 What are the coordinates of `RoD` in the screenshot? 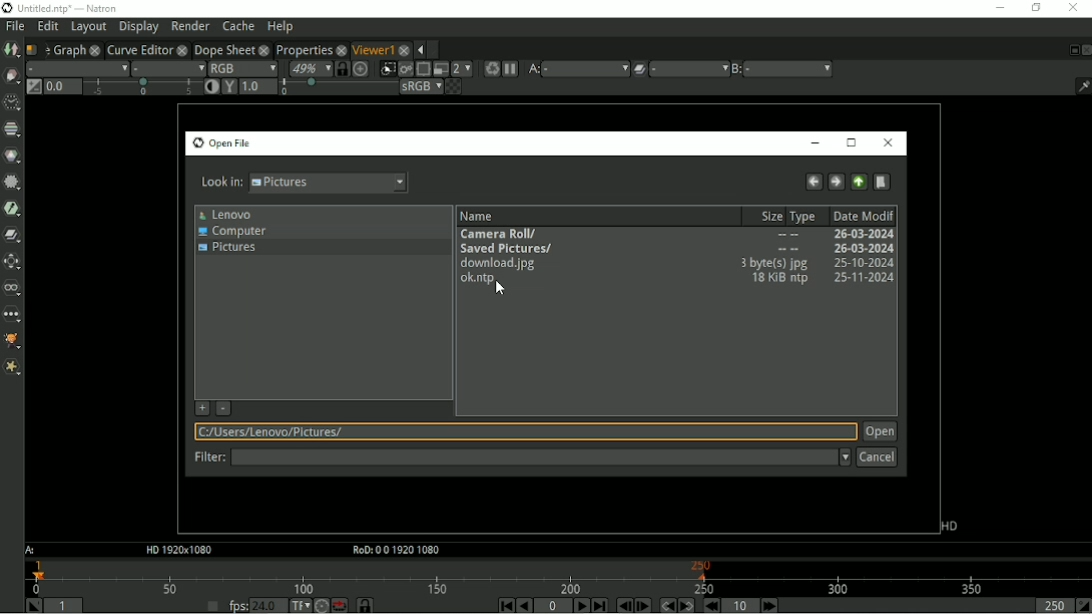 It's located at (393, 551).